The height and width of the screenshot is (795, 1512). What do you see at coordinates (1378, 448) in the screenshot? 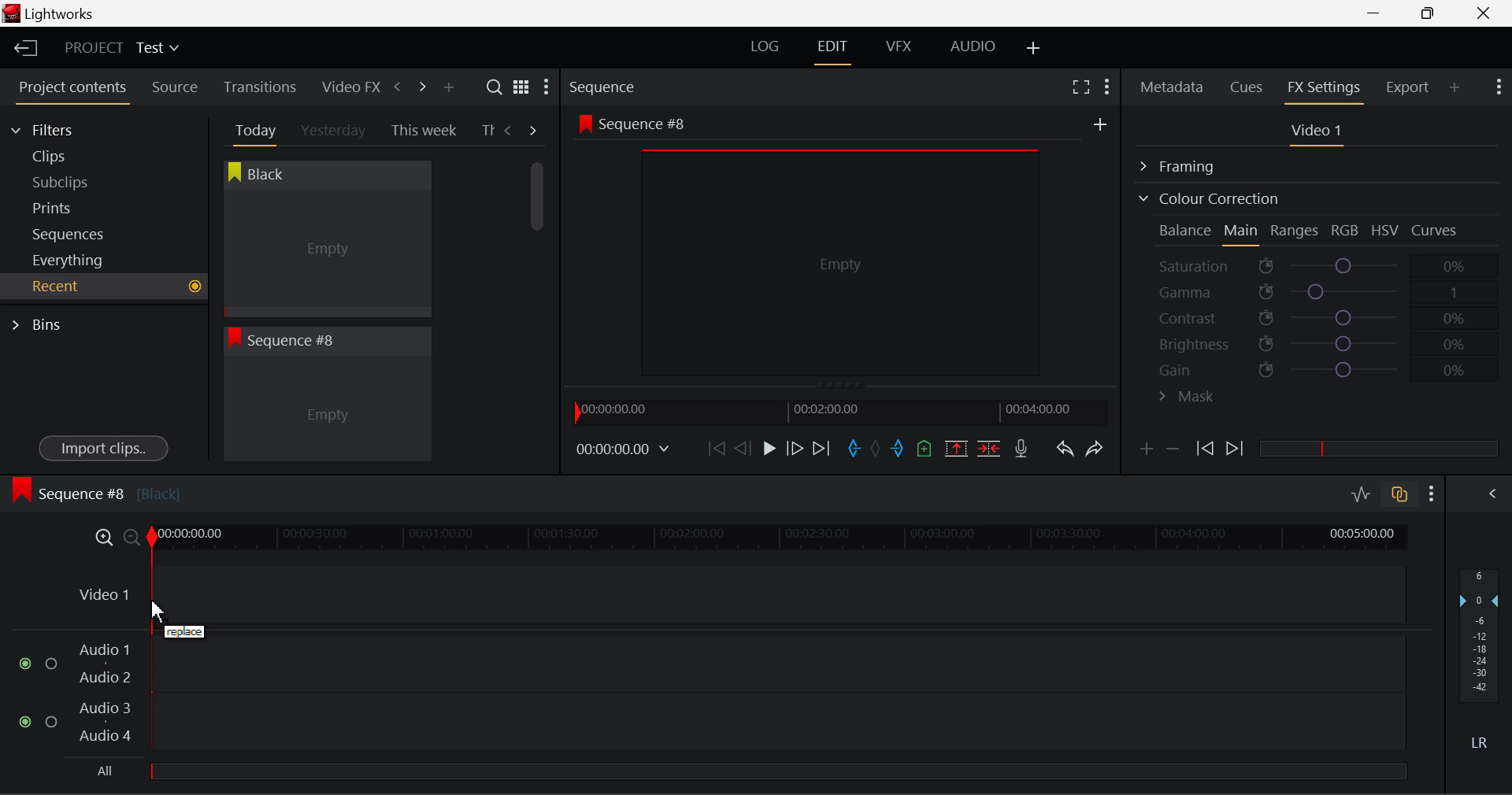
I see `slider` at bounding box center [1378, 448].